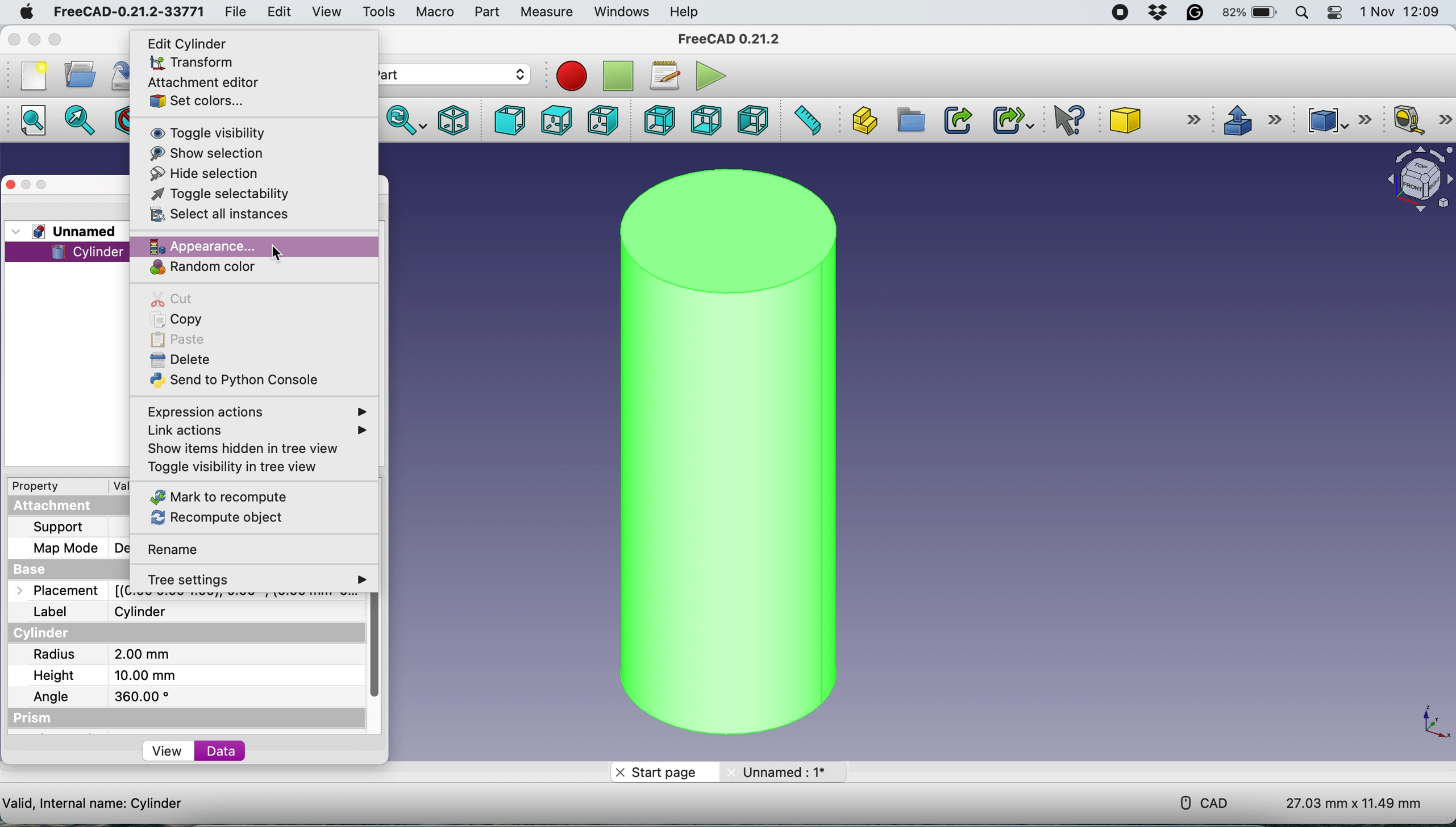 This screenshot has width=1456, height=827. I want to click on toggle visibility in tree view, so click(232, 467).